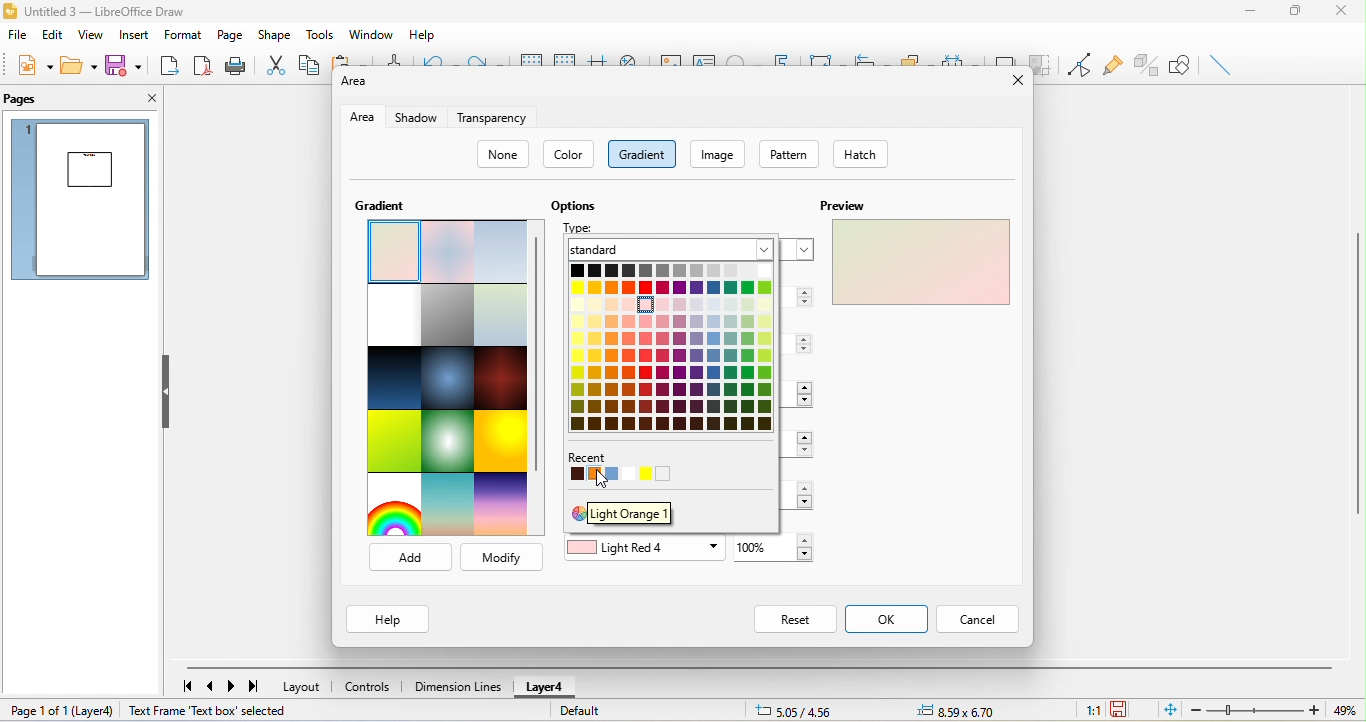 The image size is (1366, 722). I want to click on insert line, so click(1224, 65).